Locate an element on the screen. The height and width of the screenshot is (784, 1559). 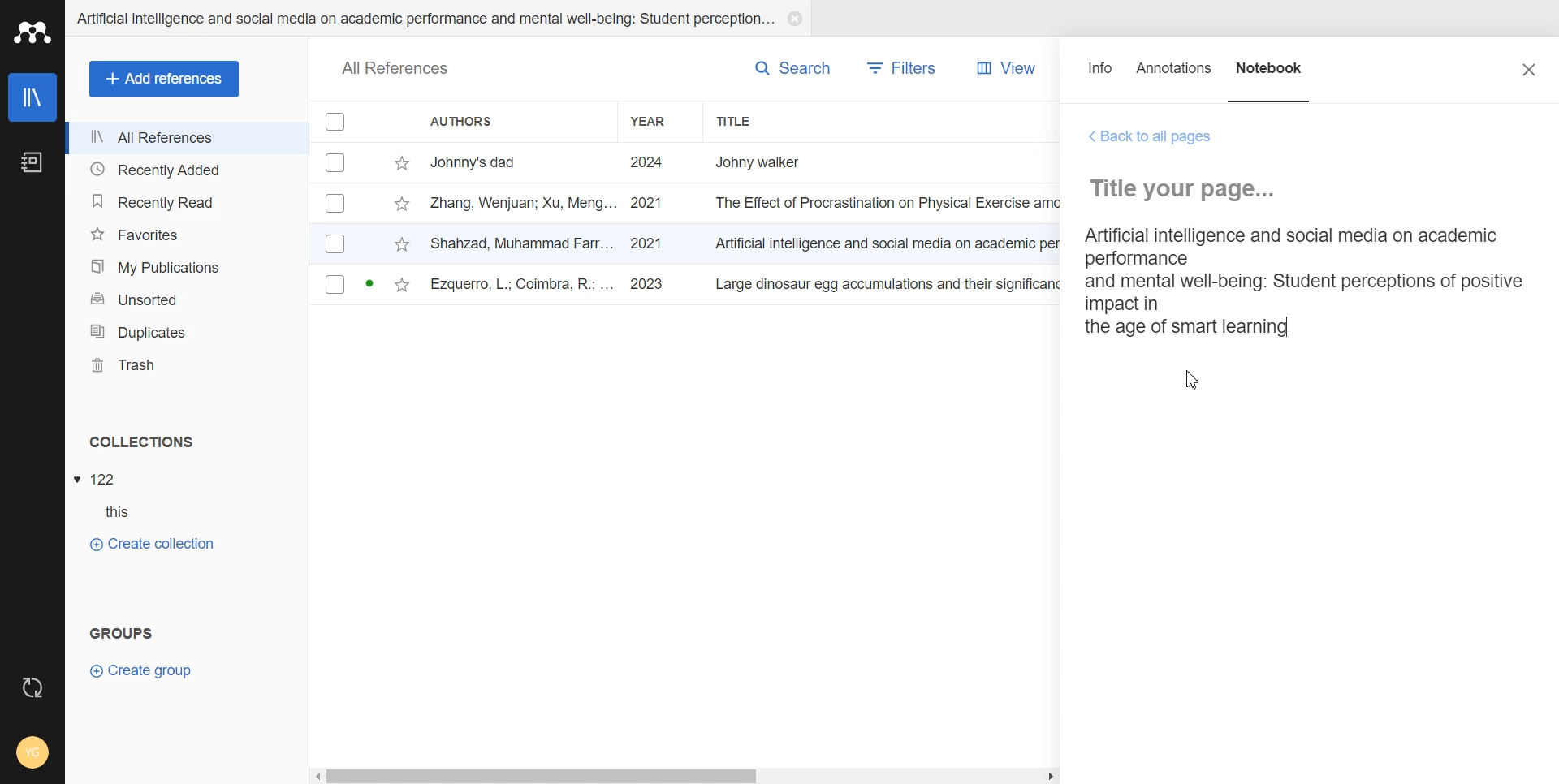
zang, wenjuan; xu, meng... is located at coordinates (524, 202).